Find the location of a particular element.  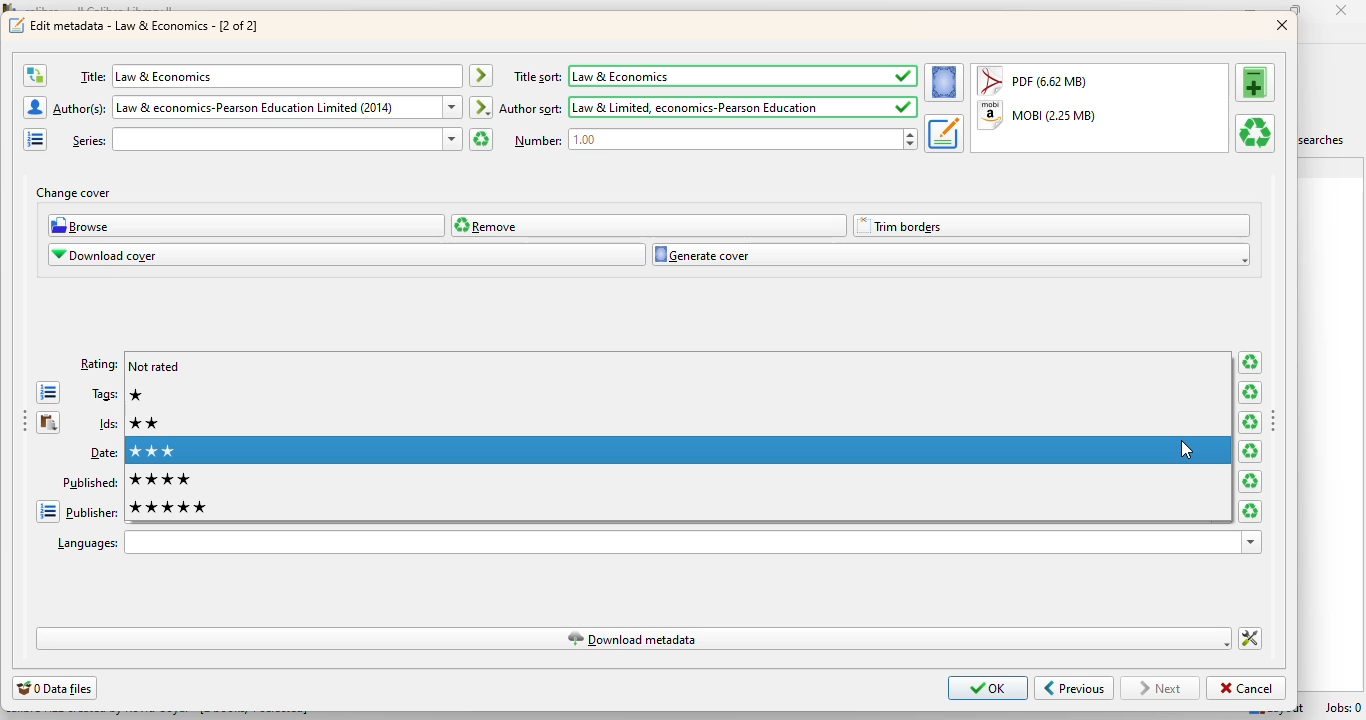

series:  is located at coordinates (266, 139).